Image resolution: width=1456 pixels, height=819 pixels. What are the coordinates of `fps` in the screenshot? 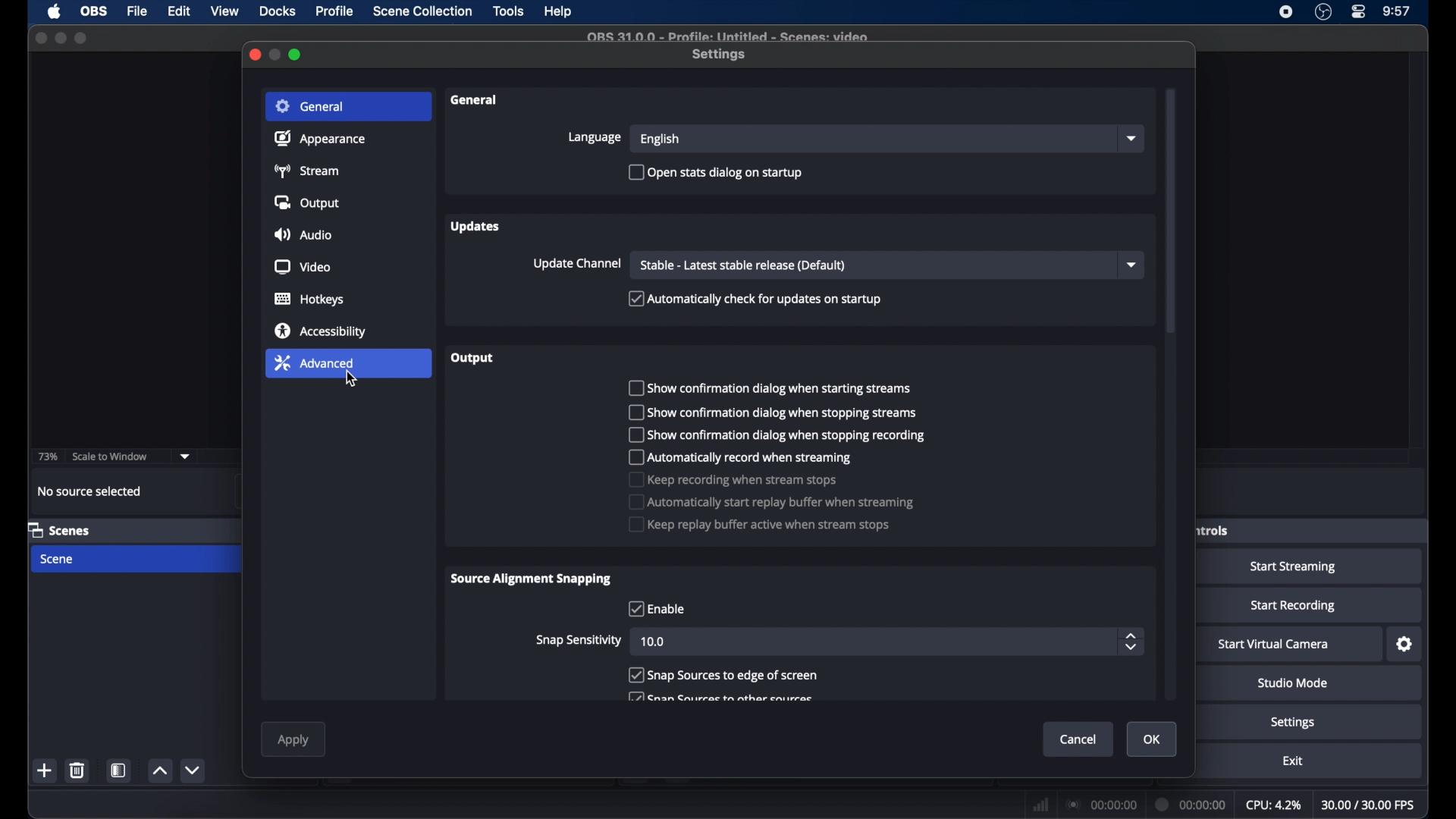 It's located at (1369, 805).